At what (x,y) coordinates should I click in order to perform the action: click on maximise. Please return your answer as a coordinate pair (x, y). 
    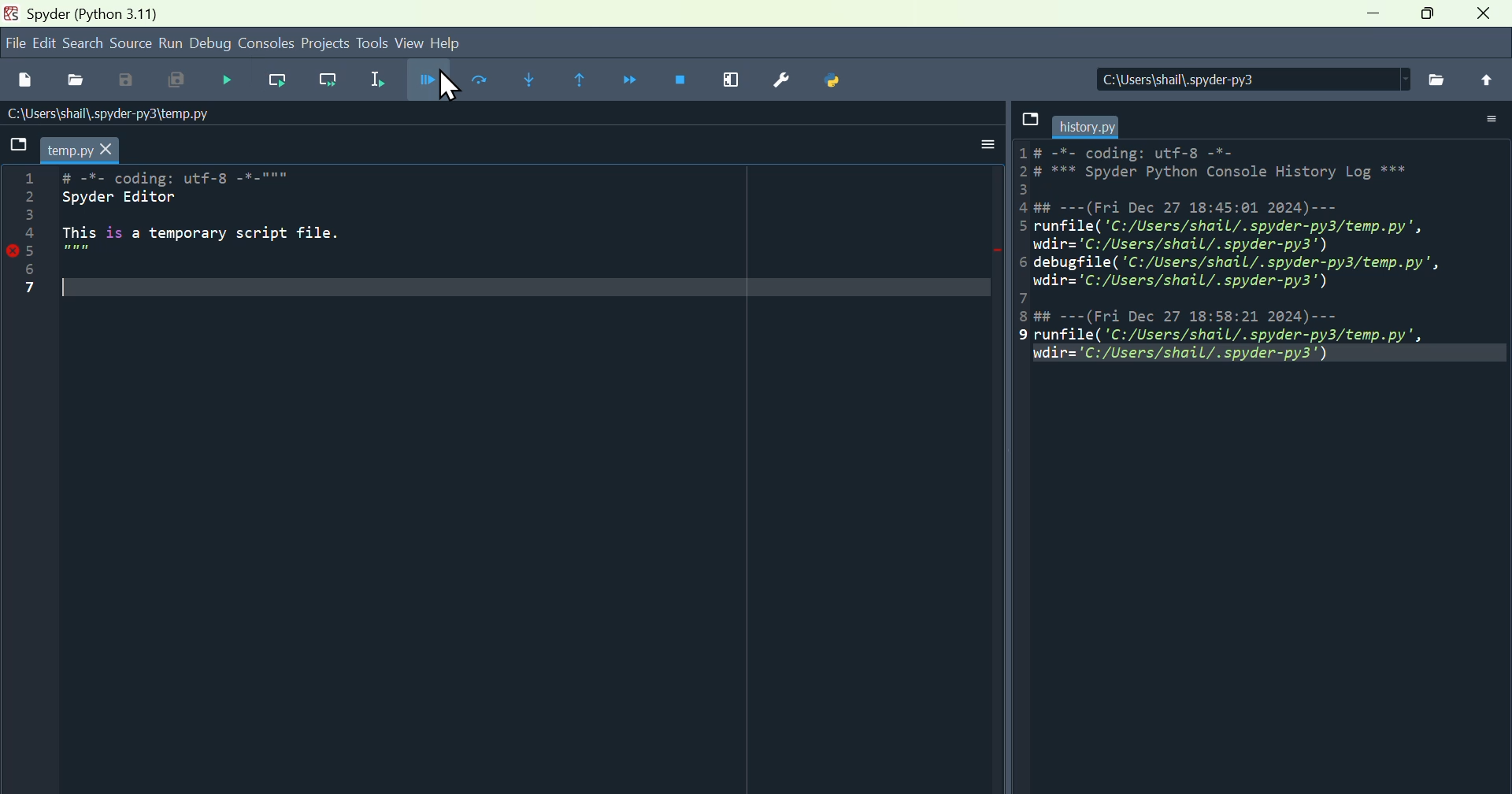
    Looking at the image, I should click on (1425, 21).